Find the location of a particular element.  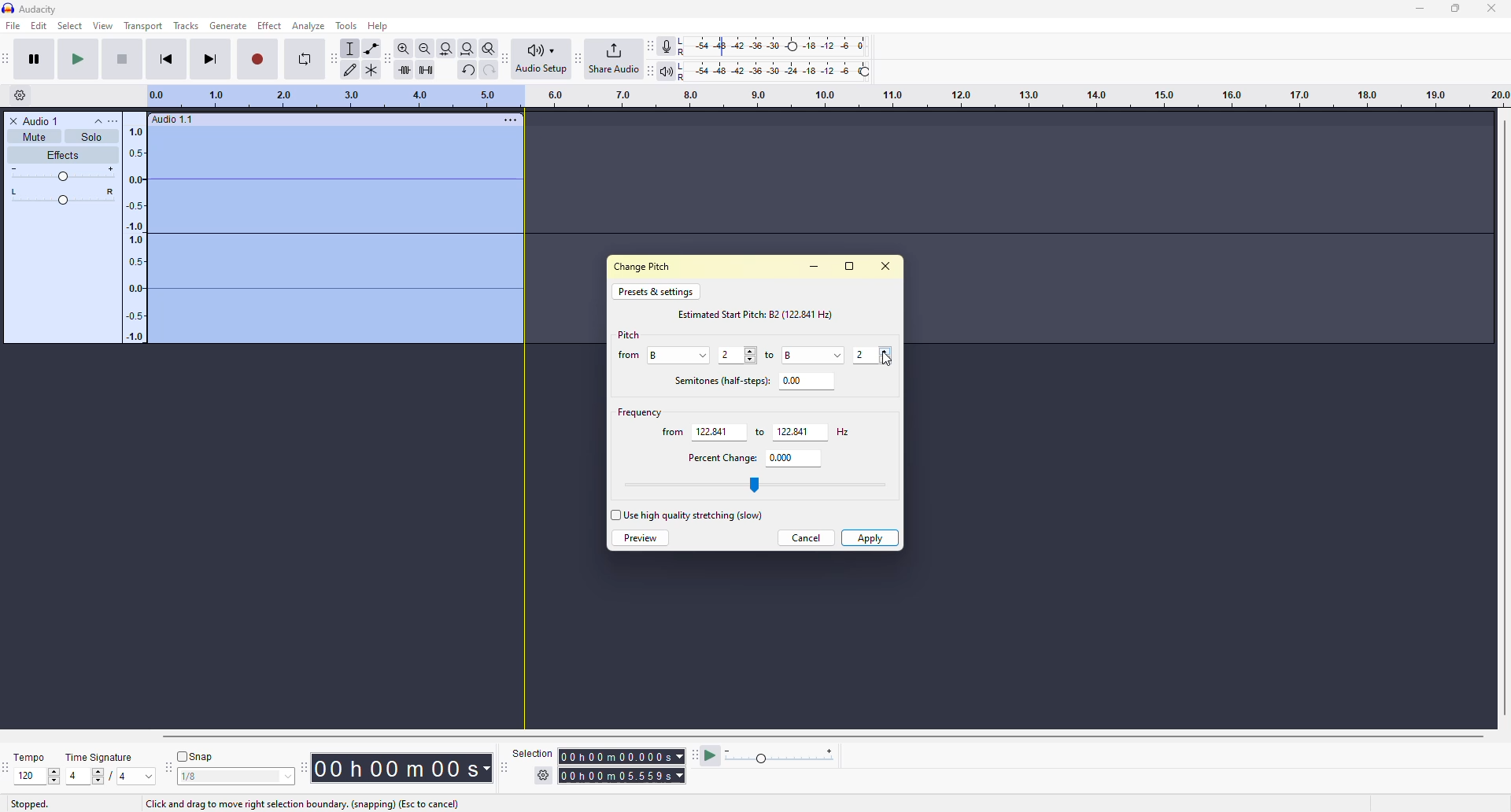

2 is located at coordinates (861, 354).